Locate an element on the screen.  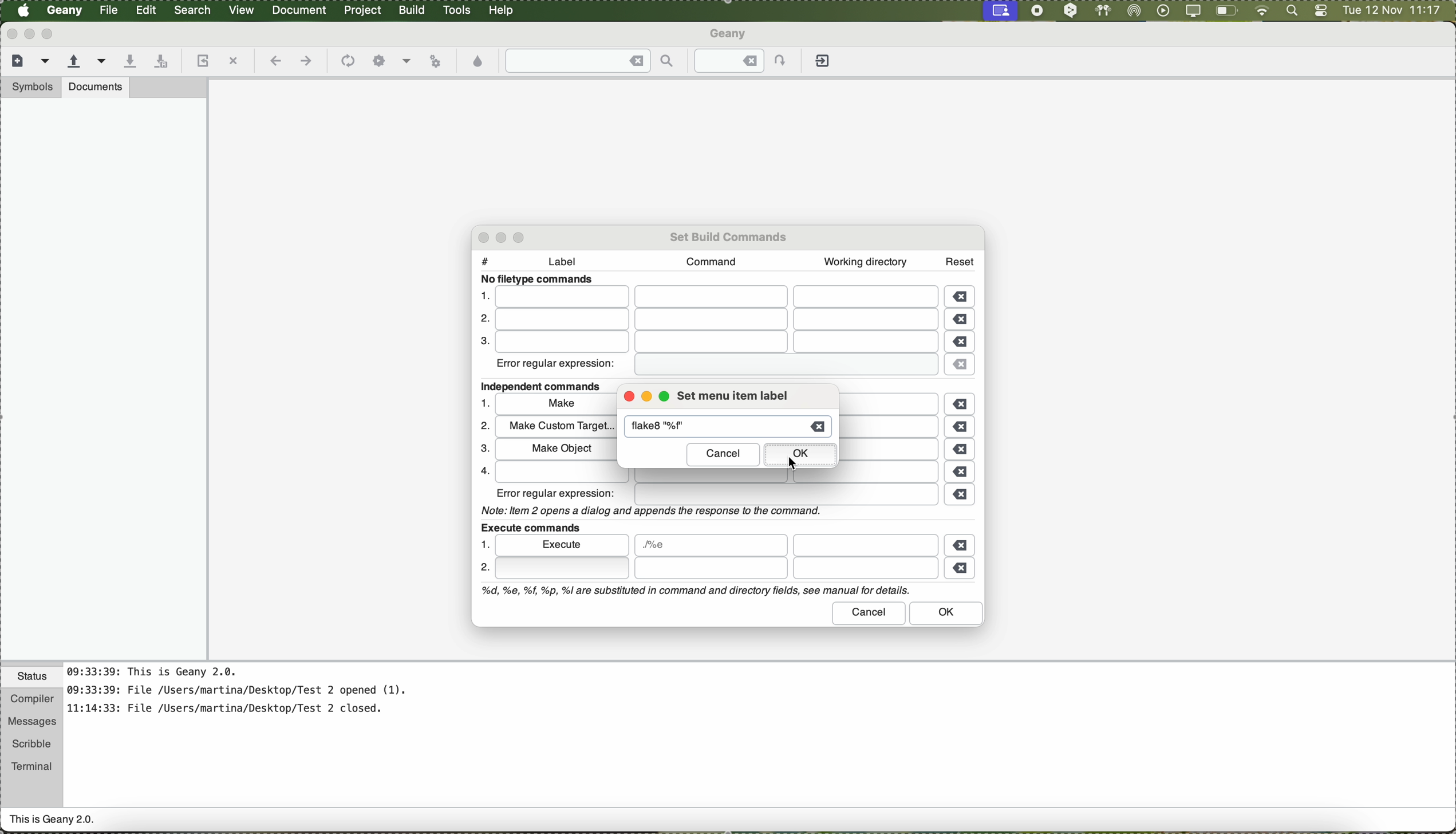
make object is located at coordinates (554, 449).